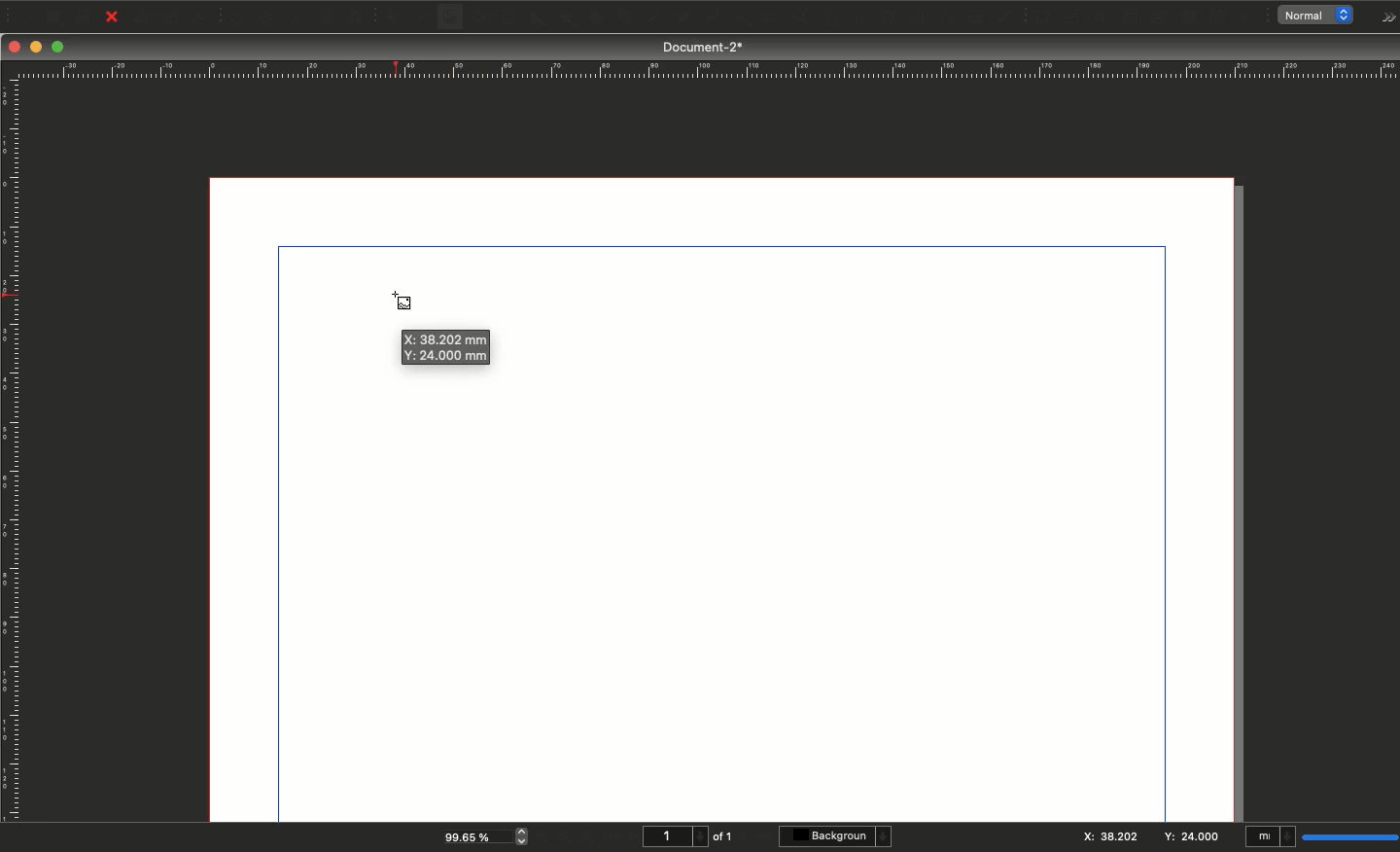  What do you see at coordinates (1071, 18) in the screenshot?
I see `PDF check box` at bounding box center [1071, 18].